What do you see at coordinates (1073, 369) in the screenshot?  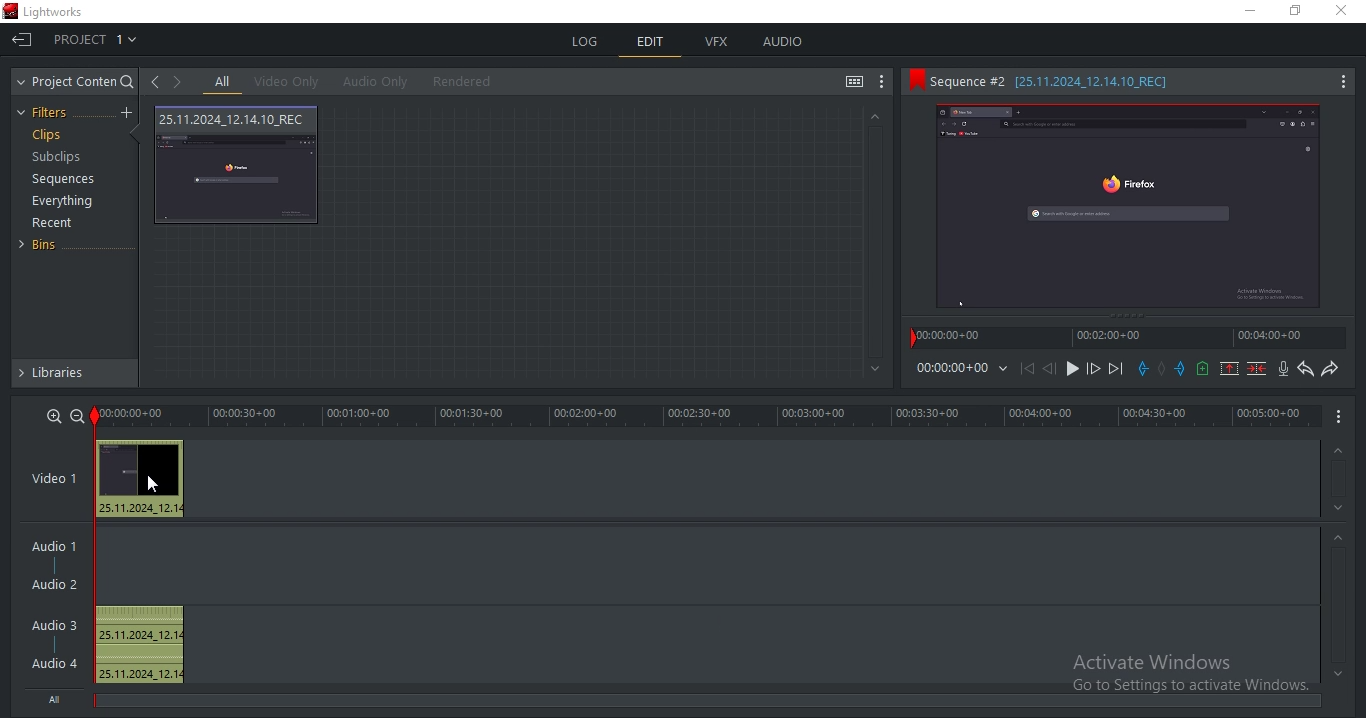 I see `start/stop playback` at bounding box center [1073, 369].